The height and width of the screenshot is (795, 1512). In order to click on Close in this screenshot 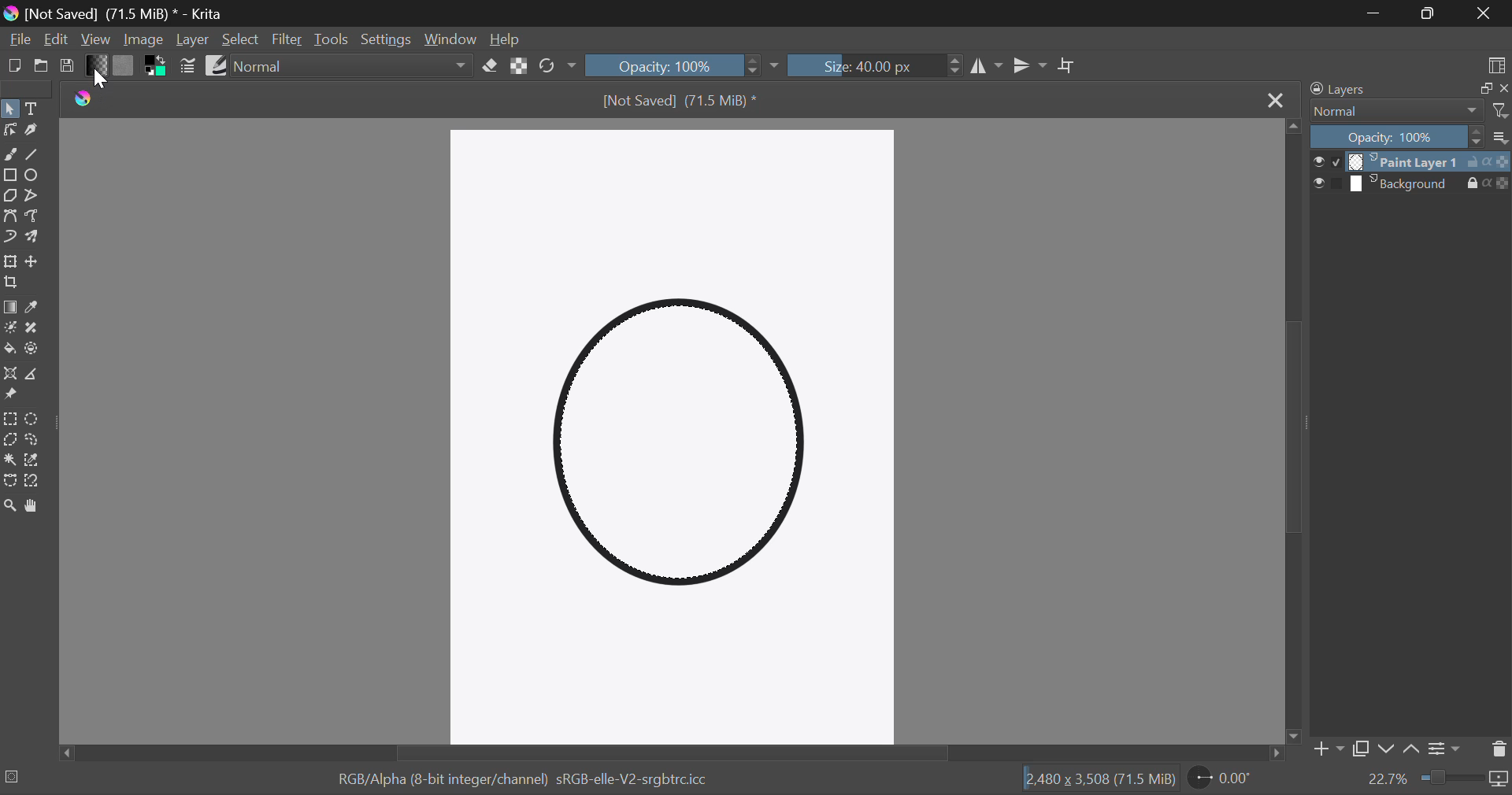, I will do `click(1488, 14)`.